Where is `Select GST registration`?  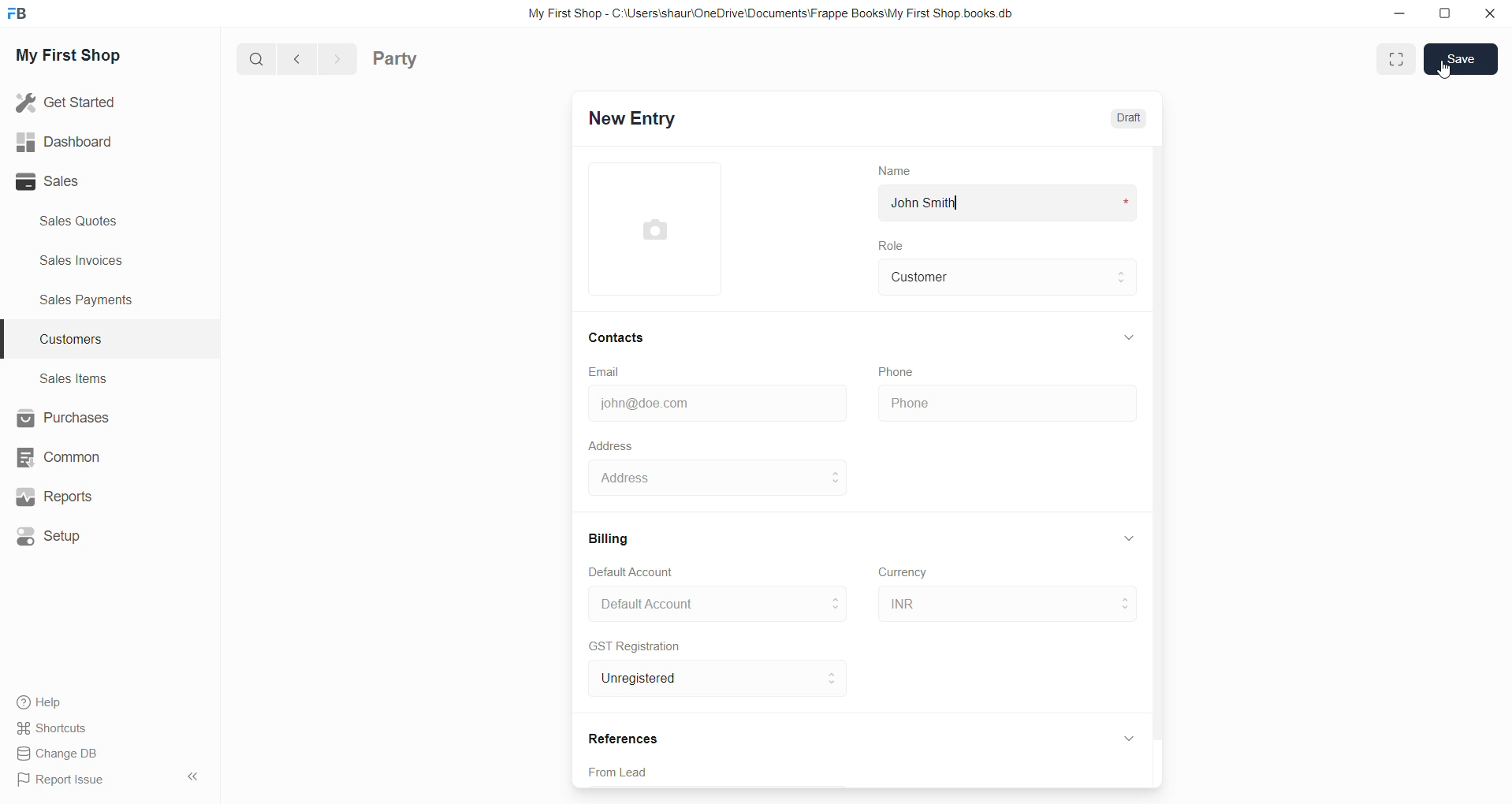 Select GST registration is located at coordinates (693, 679).